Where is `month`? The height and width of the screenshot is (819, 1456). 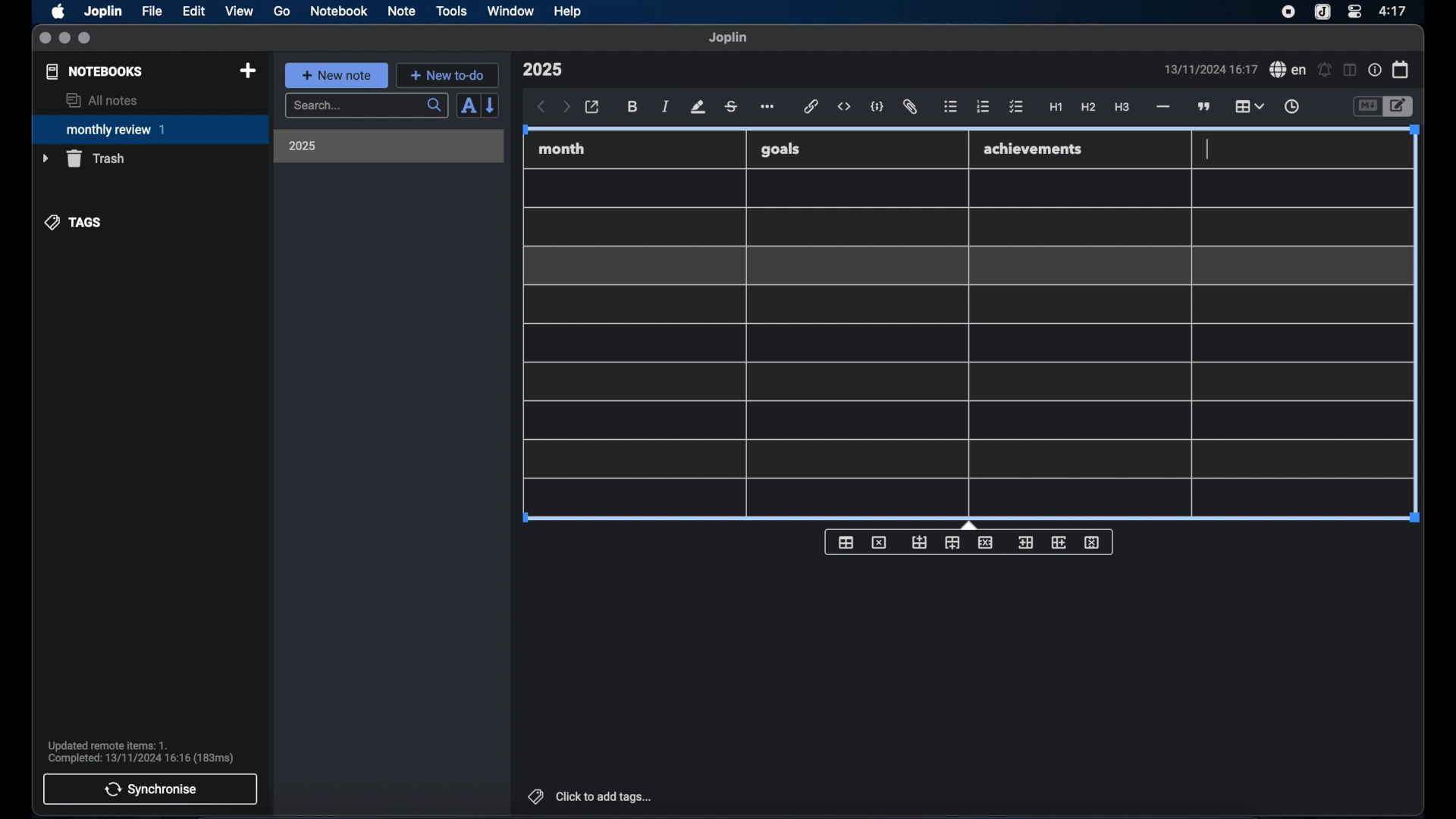
month is located at coordinates (562, 149).